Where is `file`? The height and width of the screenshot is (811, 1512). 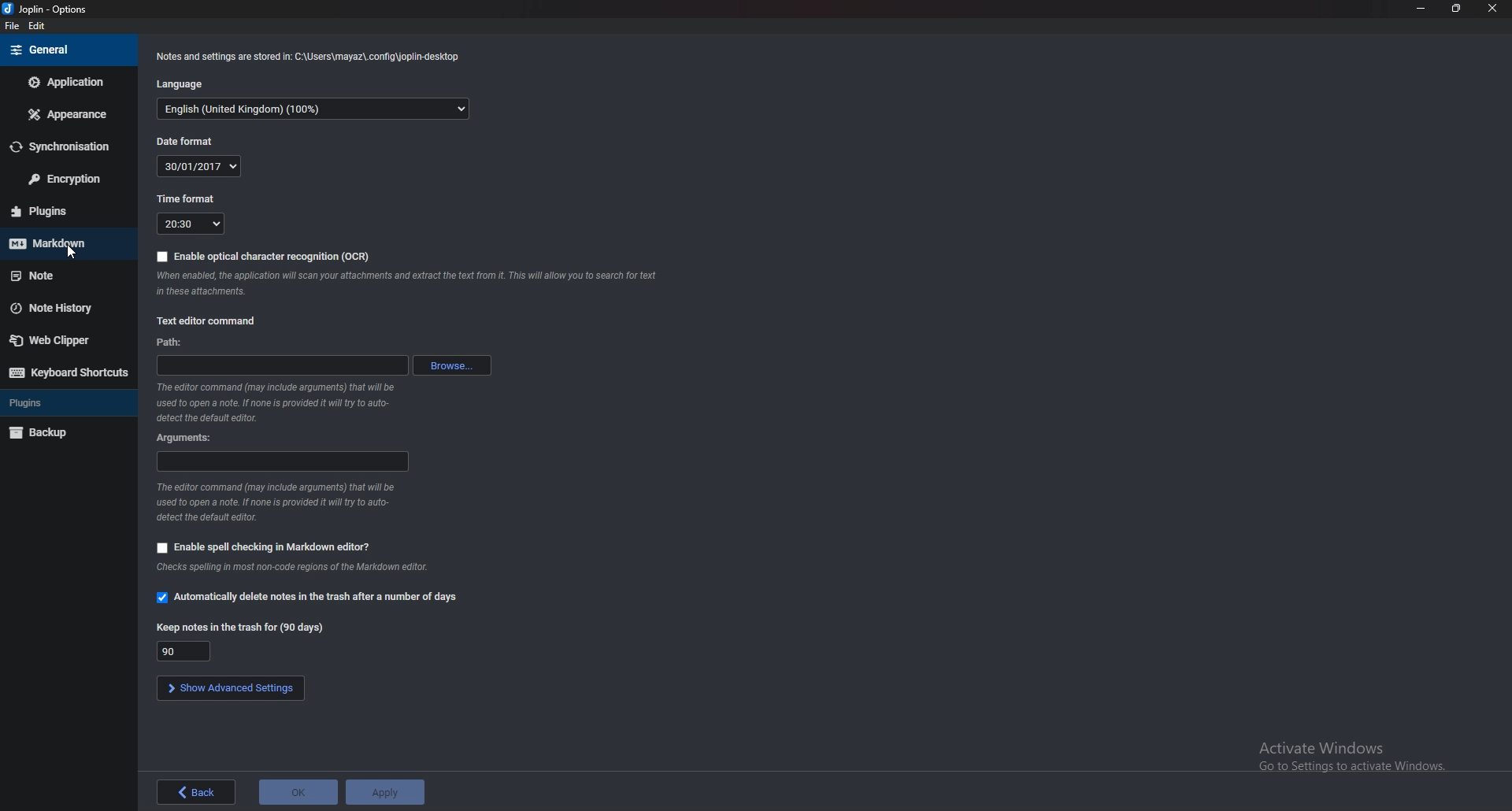
file is located at coordinates (15, 24).